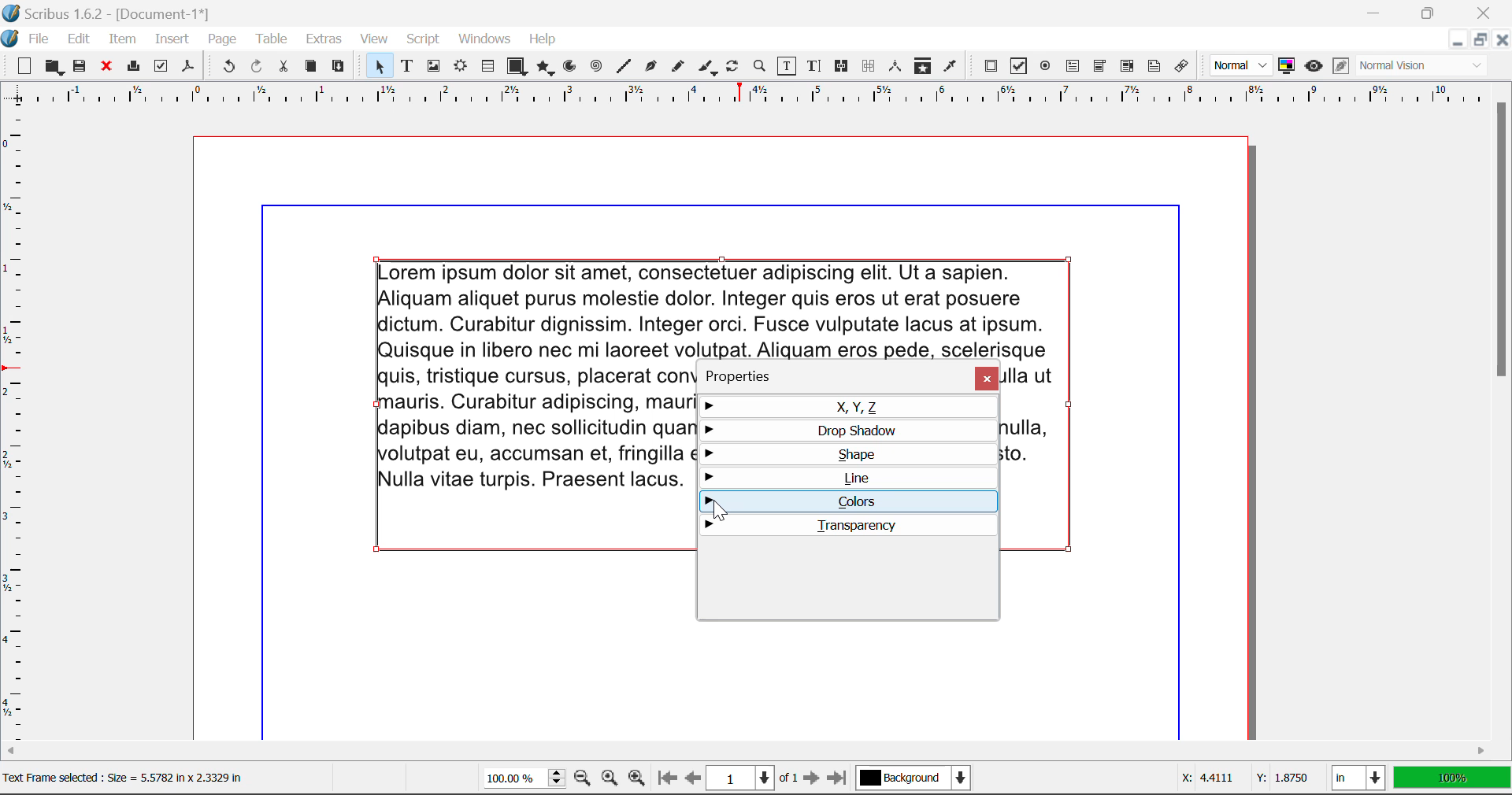  What do you see at coordinates (1429, 11) in the screenshot?
I see `Minimize` at bounding box center [1429, 11].